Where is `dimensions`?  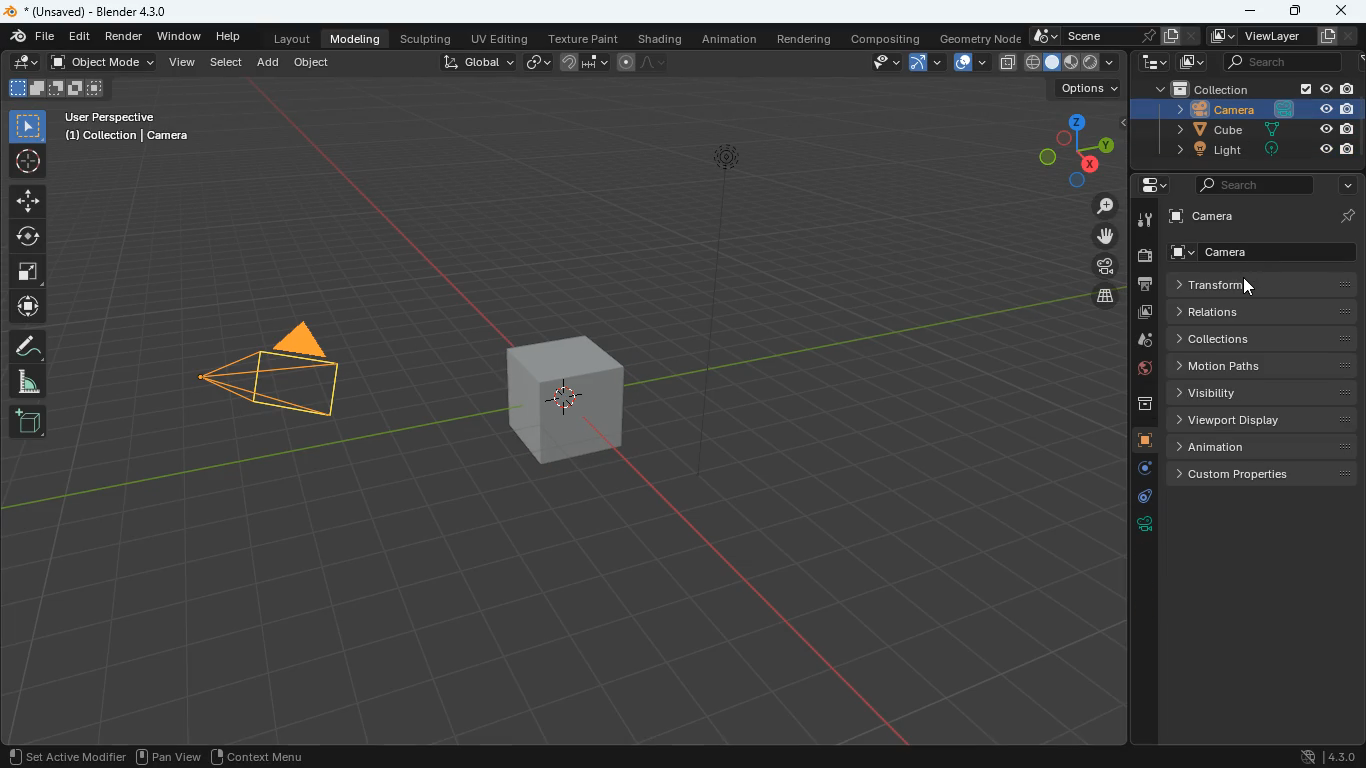 dimensions is located at coordinates (1068, 149).